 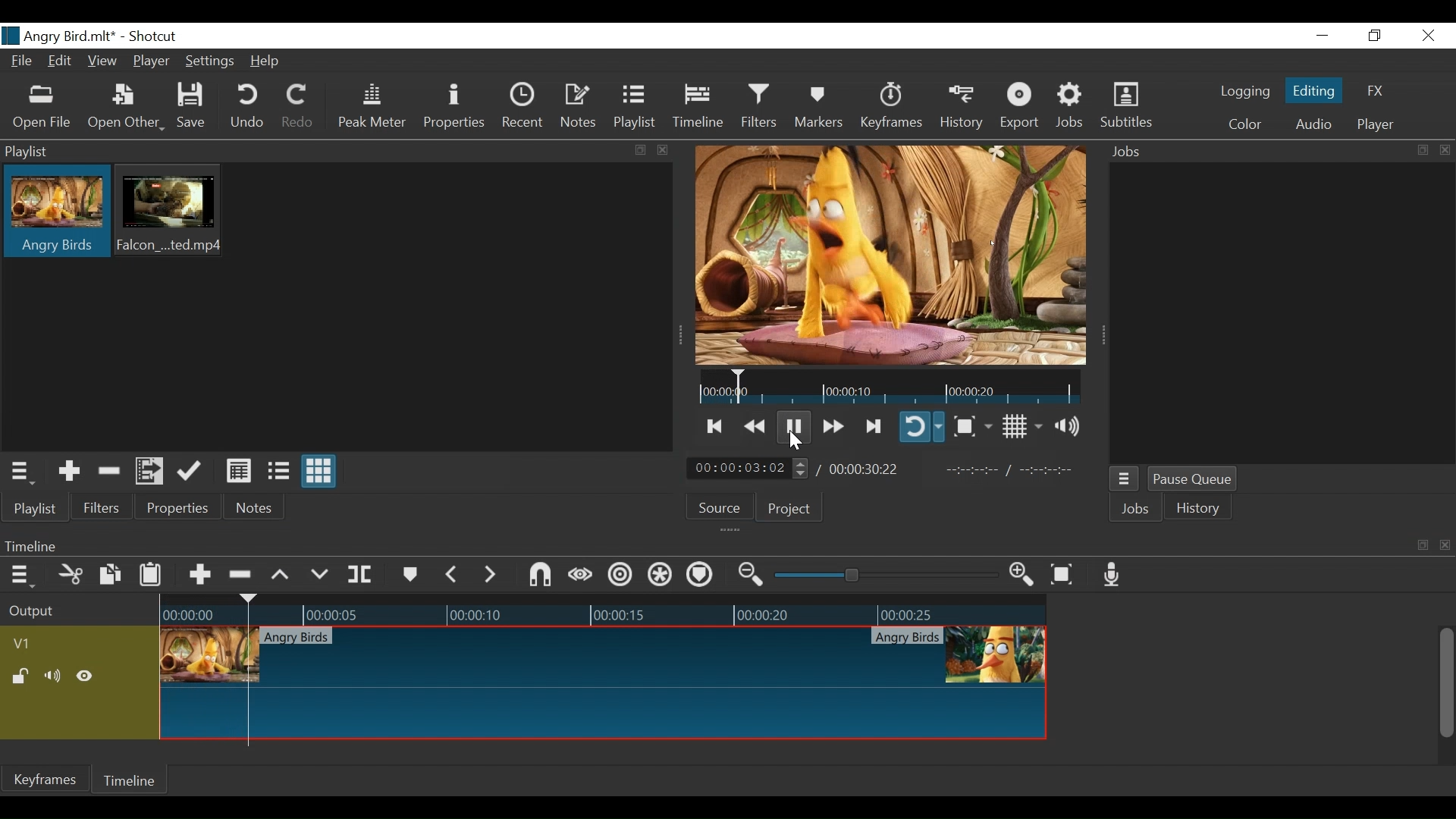 What do you see at coordinates (832, 425) in the screenshot?
I see `Play quickly forward` at bounding box center [832, 425].